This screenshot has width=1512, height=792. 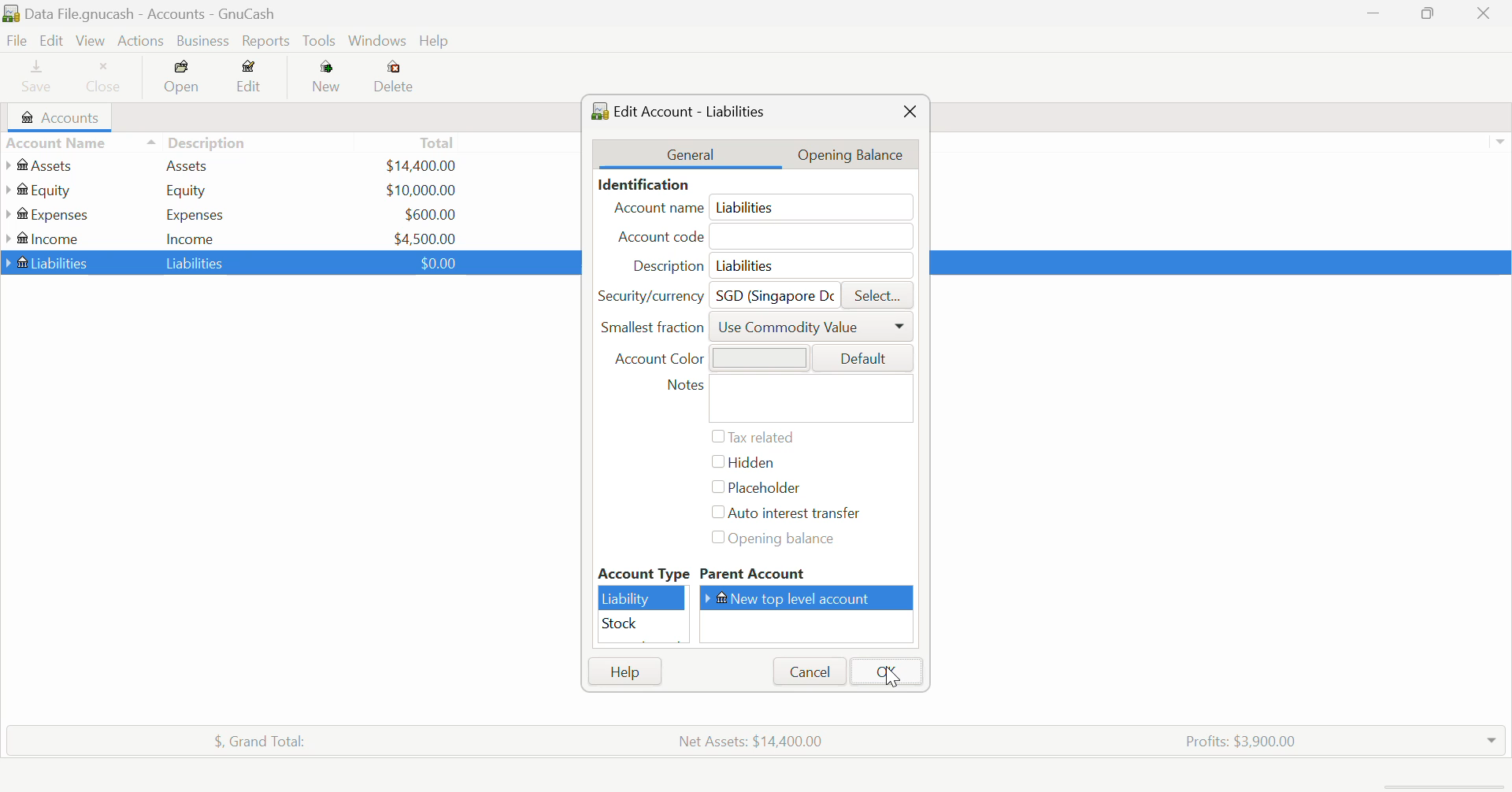 I want to click on General tab Open, so click(x=691, y=154).